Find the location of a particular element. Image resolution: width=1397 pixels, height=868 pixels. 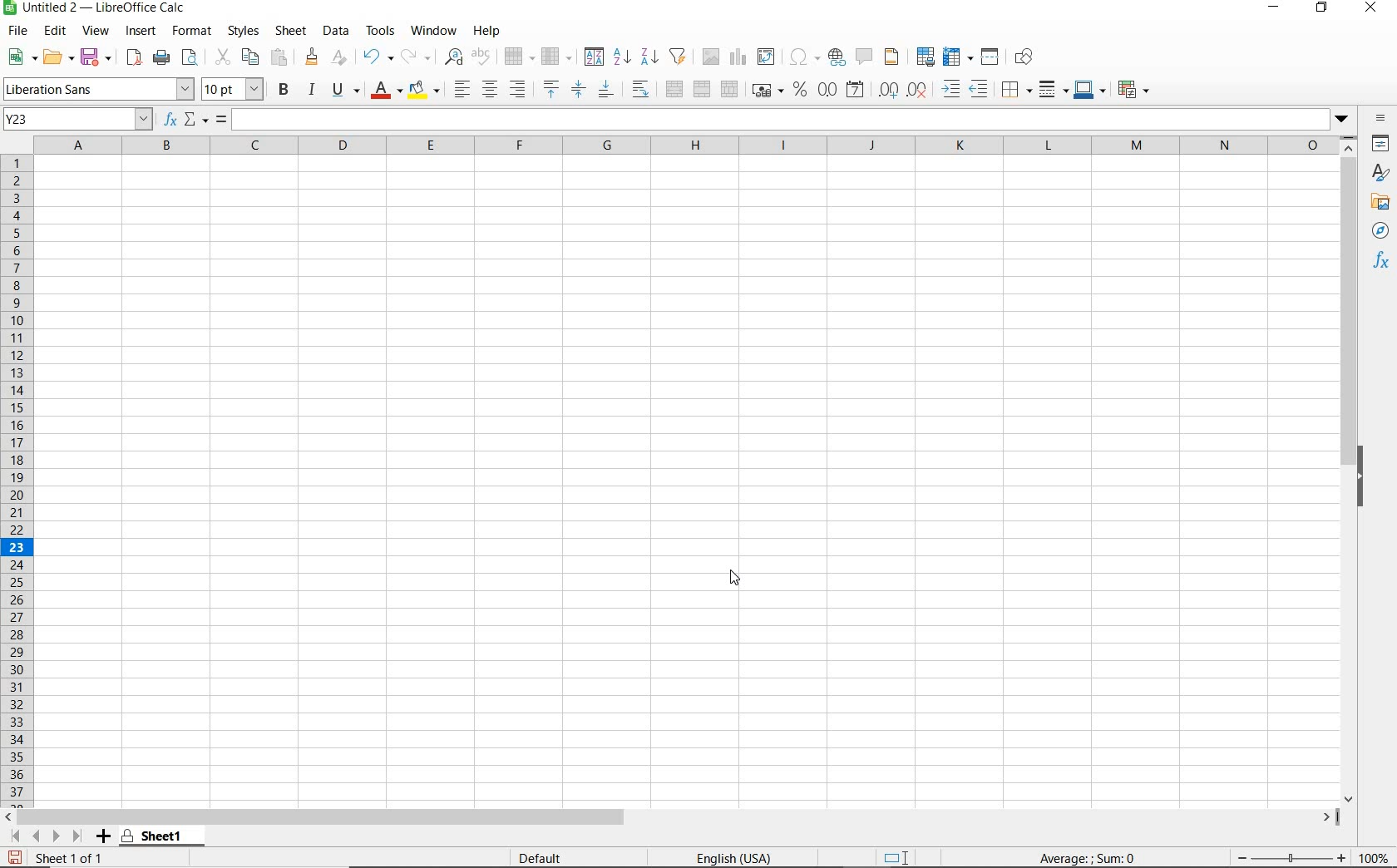

SCROLL TO NEXT SHEET is located at coordinates (47, 836).